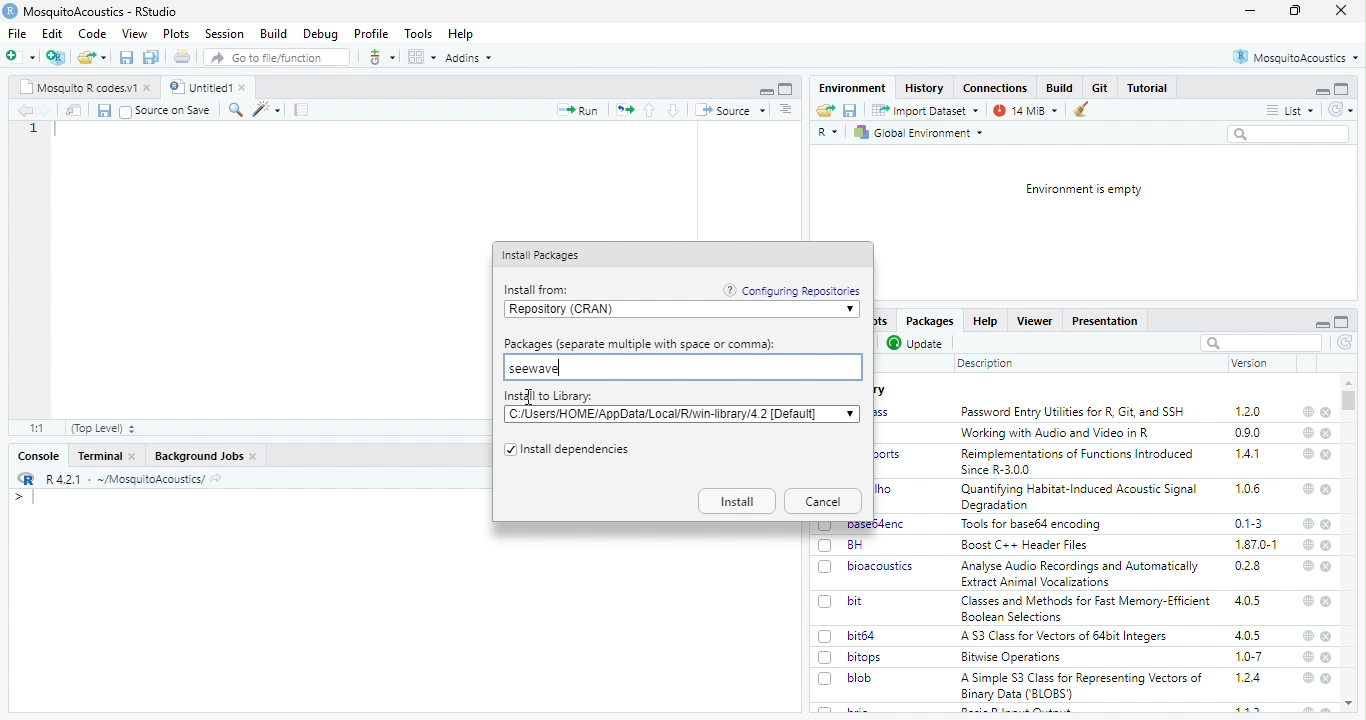  I want to click on Help, so click(985, 321).